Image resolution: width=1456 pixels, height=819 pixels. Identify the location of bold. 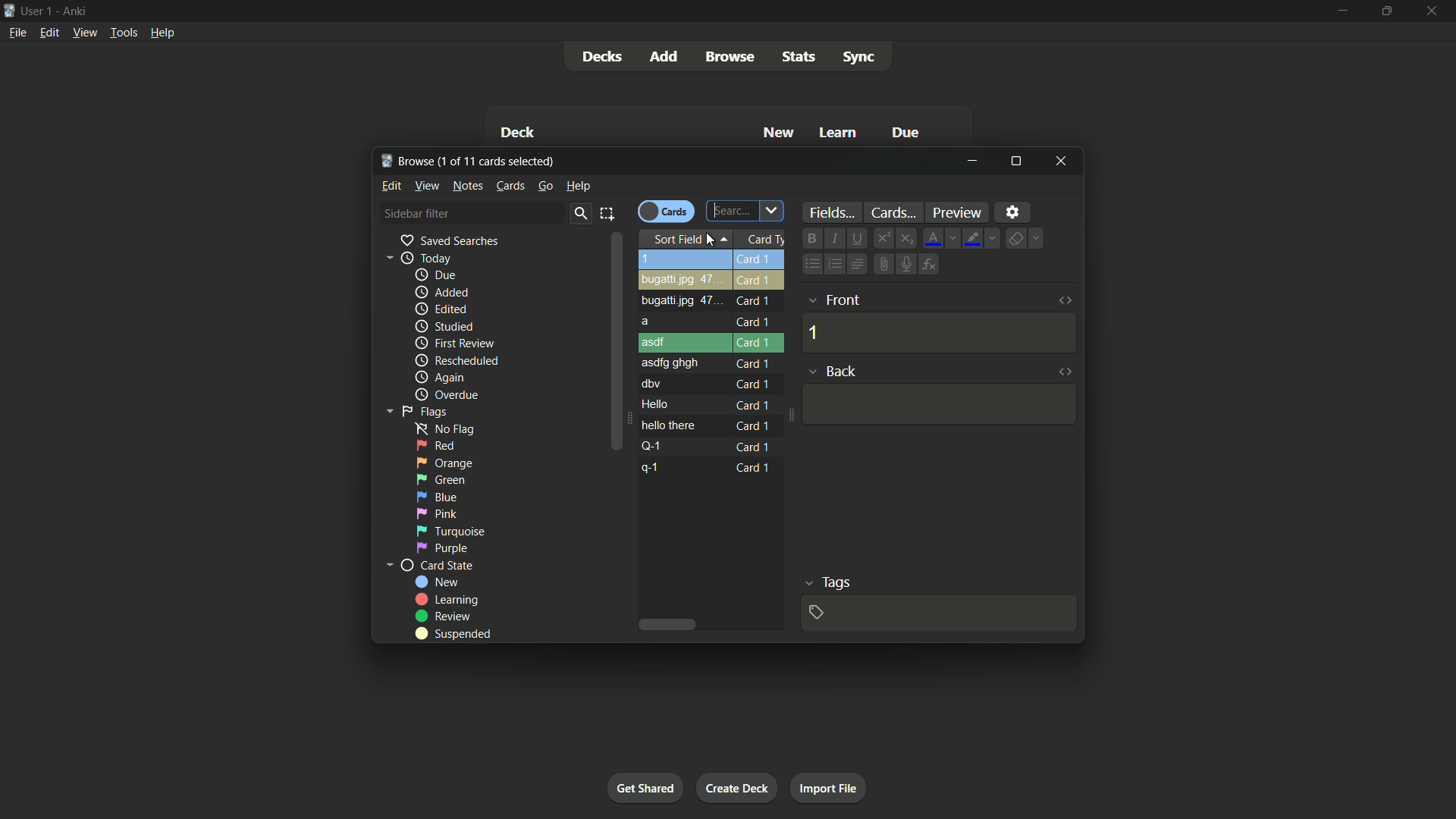
(811, 237).